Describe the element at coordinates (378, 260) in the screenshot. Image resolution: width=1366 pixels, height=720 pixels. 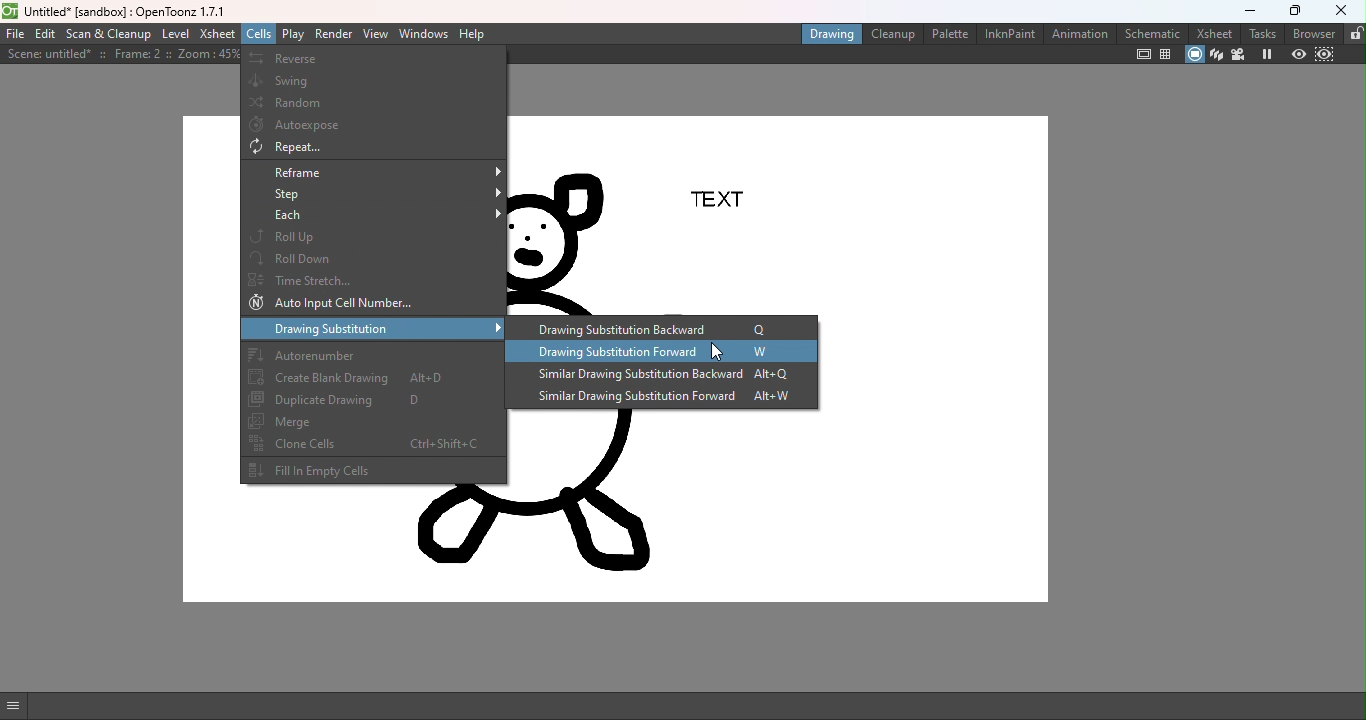
I see `Roll down` at that location.